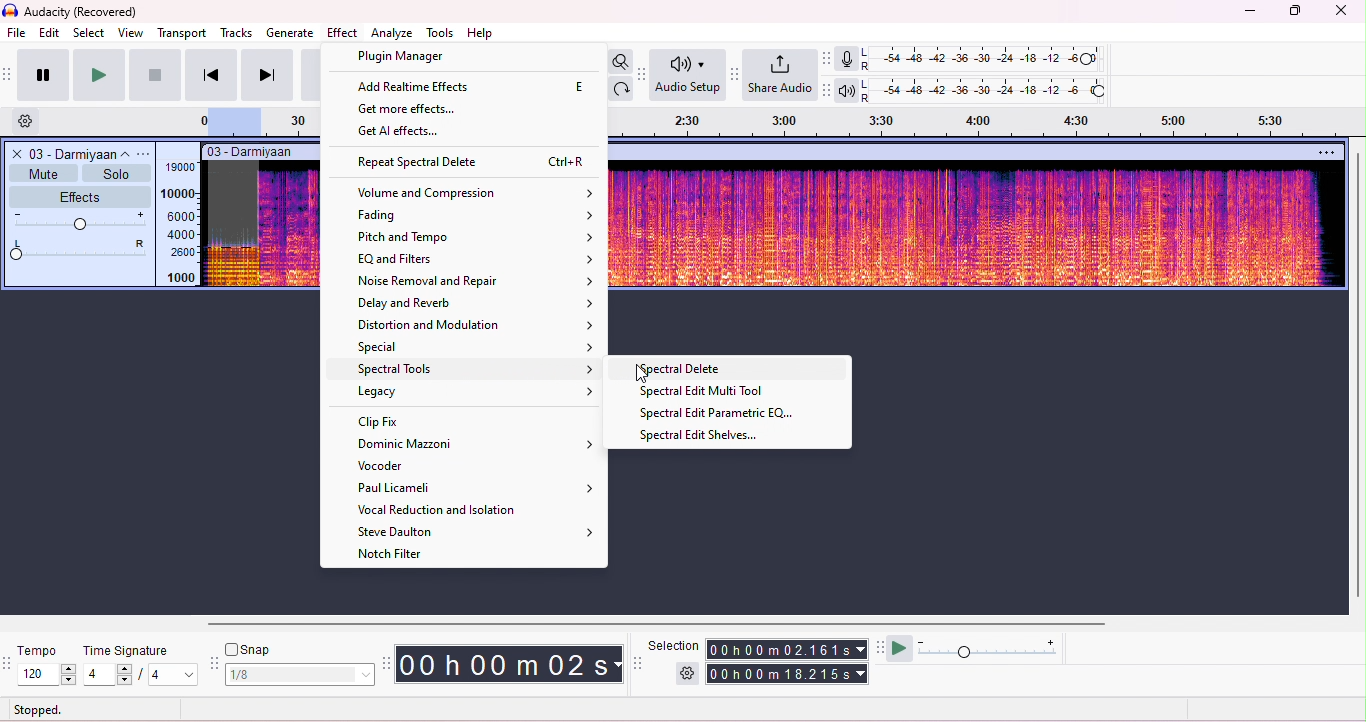  I want to click on help, so click(482, 32).